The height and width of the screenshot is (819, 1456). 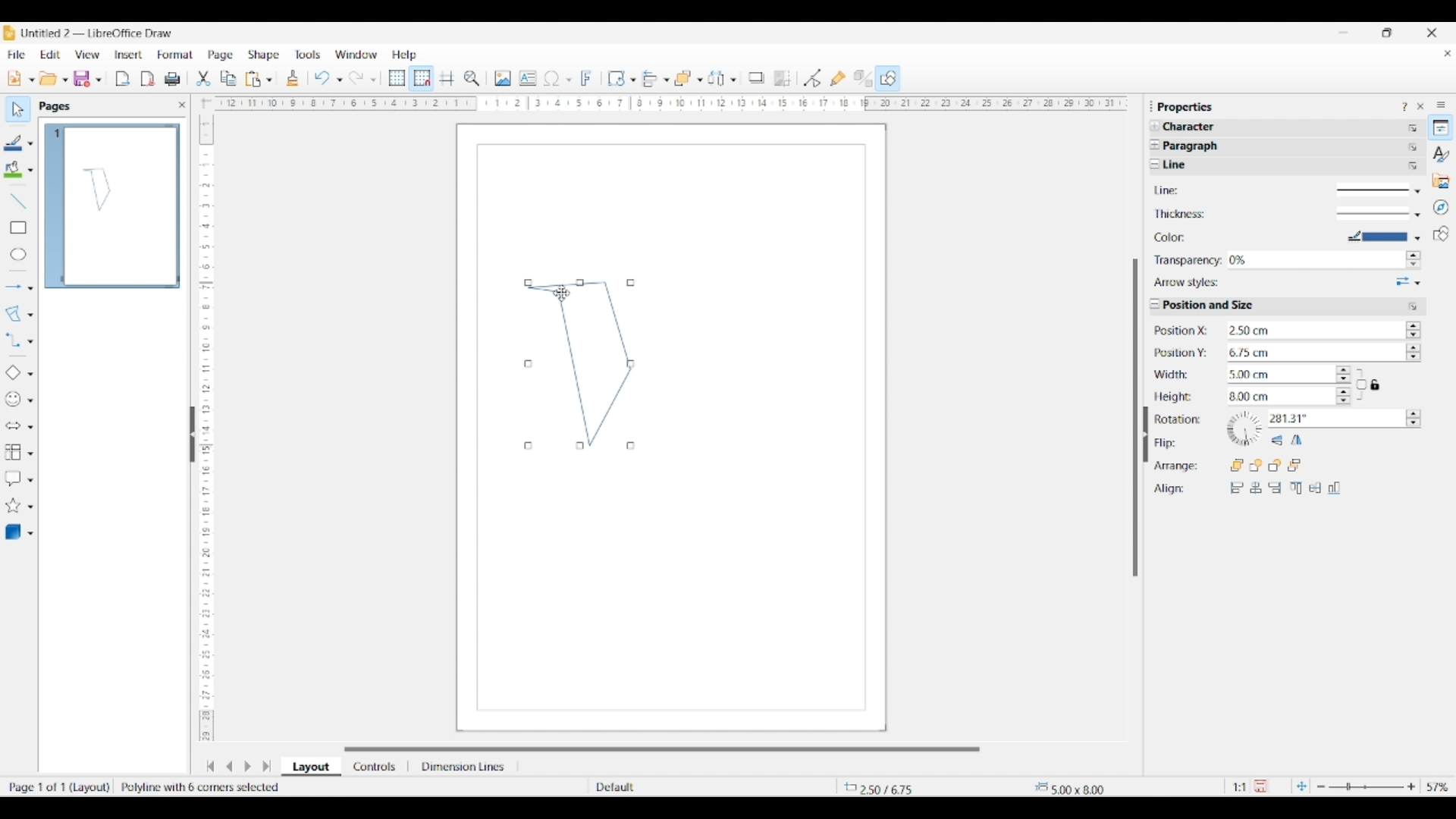 What do you see at coordinates (99, 80) in the screenshot?
I see `Save options` at bounding box center [99, 80].